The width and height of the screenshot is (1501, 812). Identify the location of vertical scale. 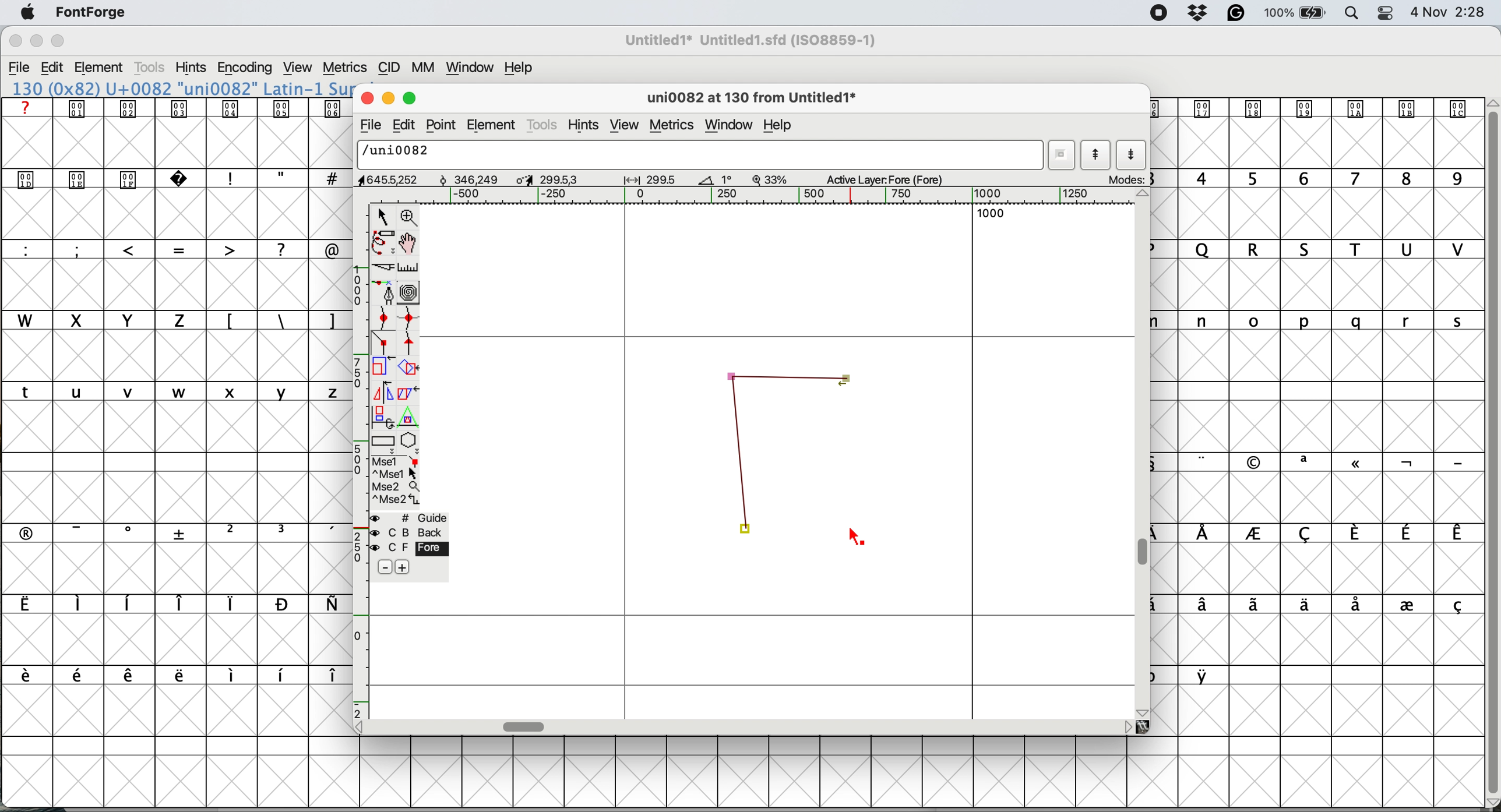
(362, 460).